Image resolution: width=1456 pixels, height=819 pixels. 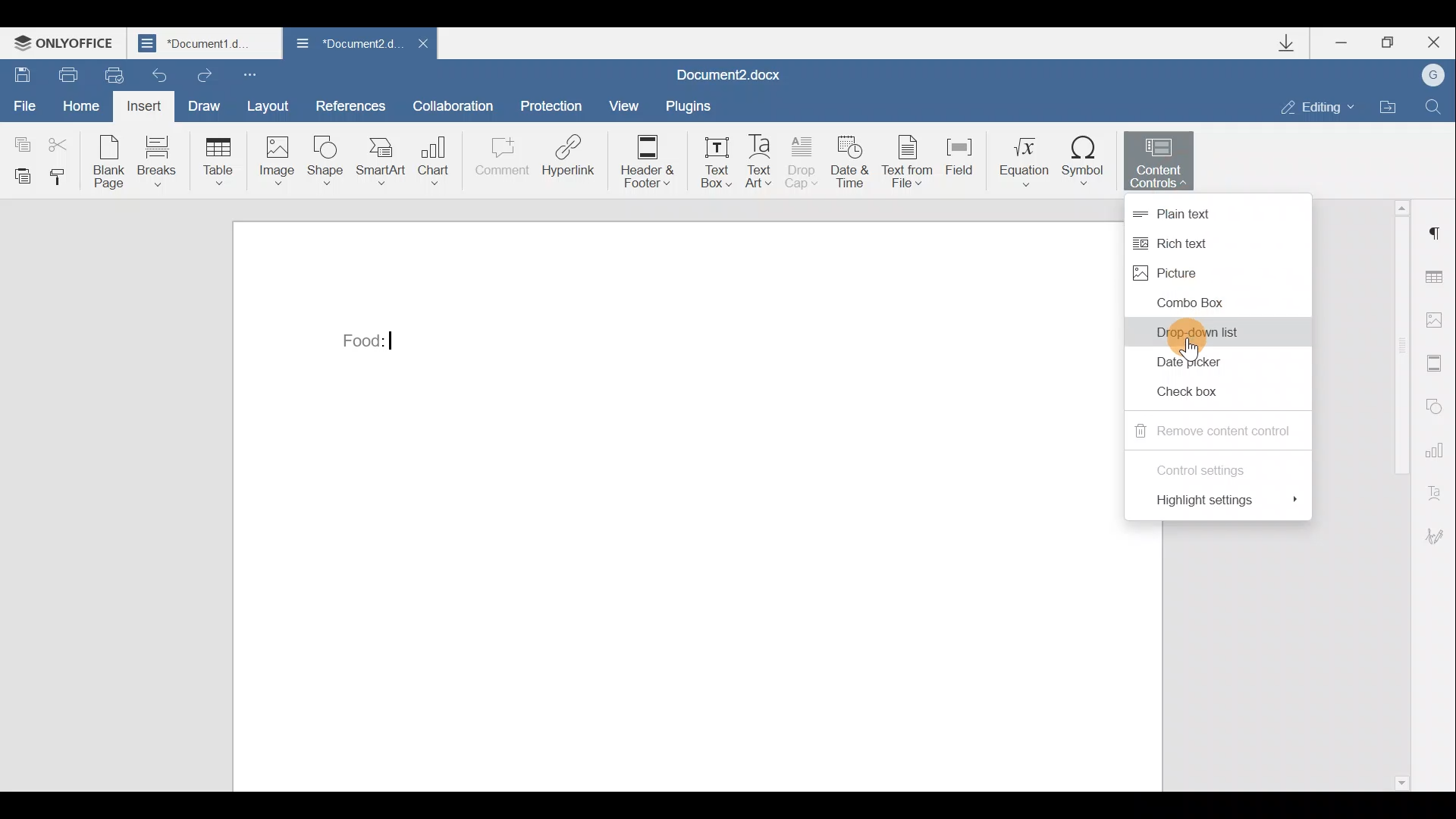 What do you see at coordinates (381, 160) in the screenshot?
I see `SmartArt` at bounding box center [381, 160].